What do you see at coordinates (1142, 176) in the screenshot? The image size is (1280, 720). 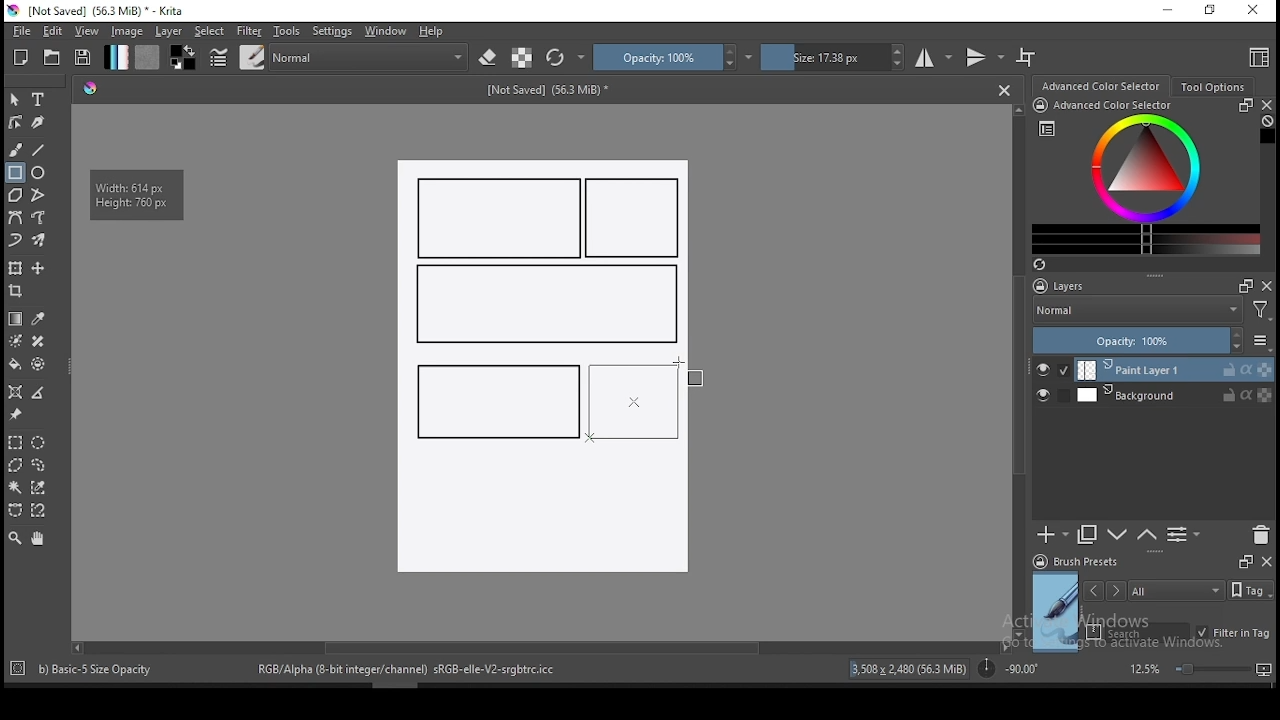 I see `advanced color selector` at bounding box center [1142, 176].